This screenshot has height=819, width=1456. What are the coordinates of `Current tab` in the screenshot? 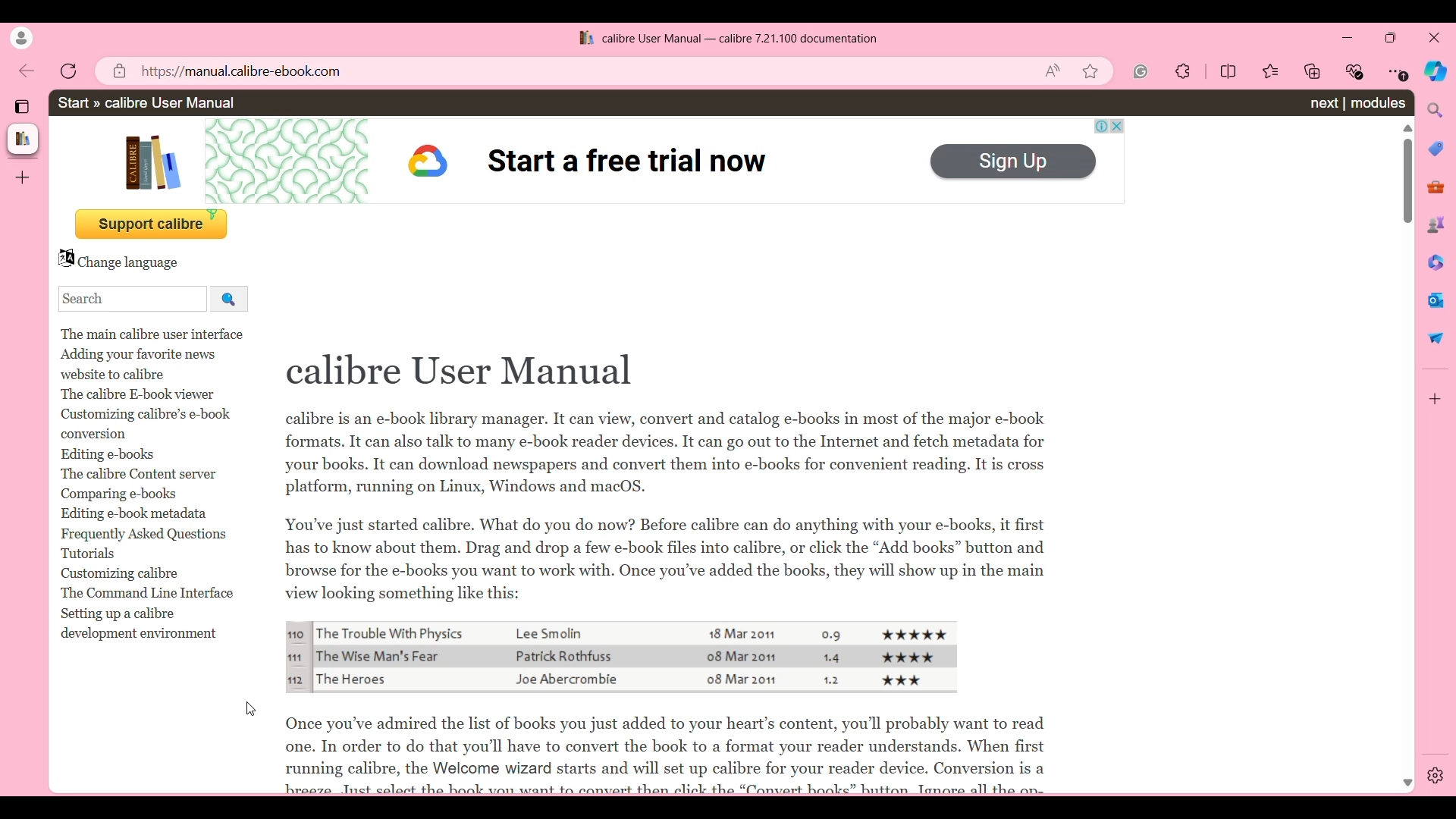 It's located at (23, 139).